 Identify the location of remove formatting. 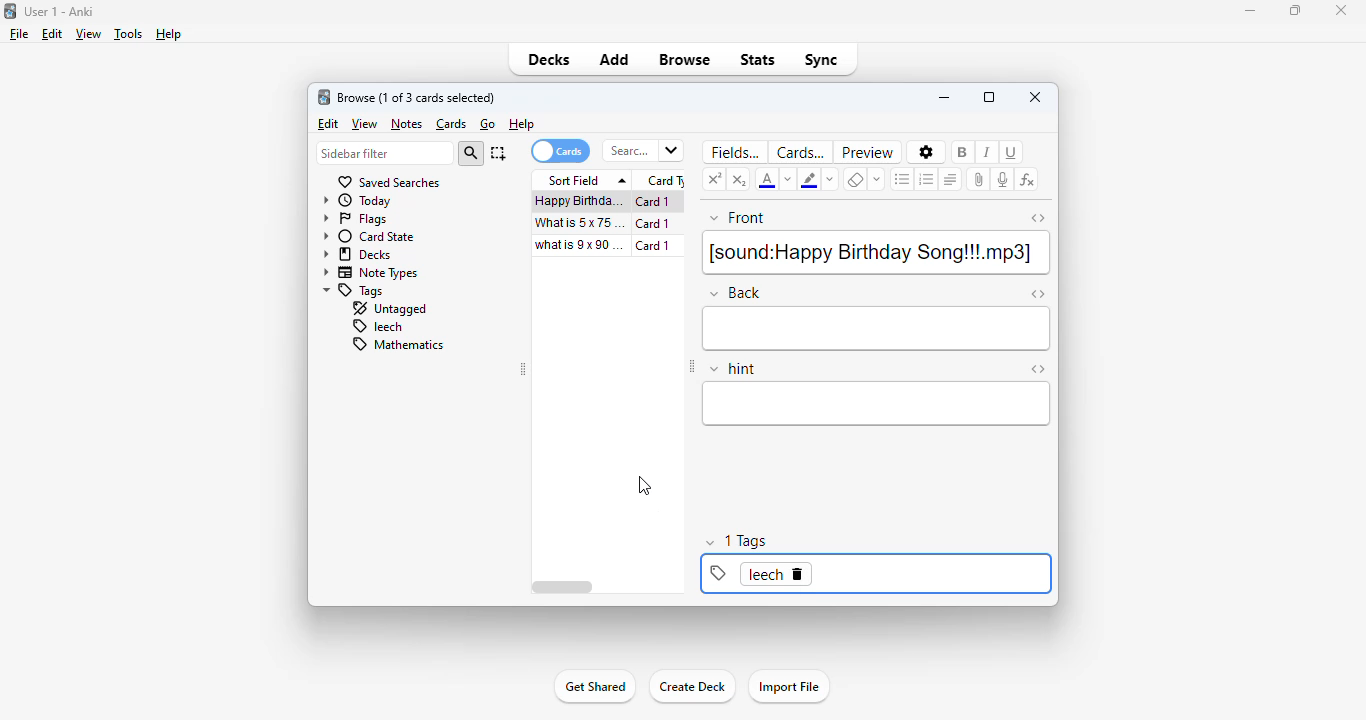
(855, 179).